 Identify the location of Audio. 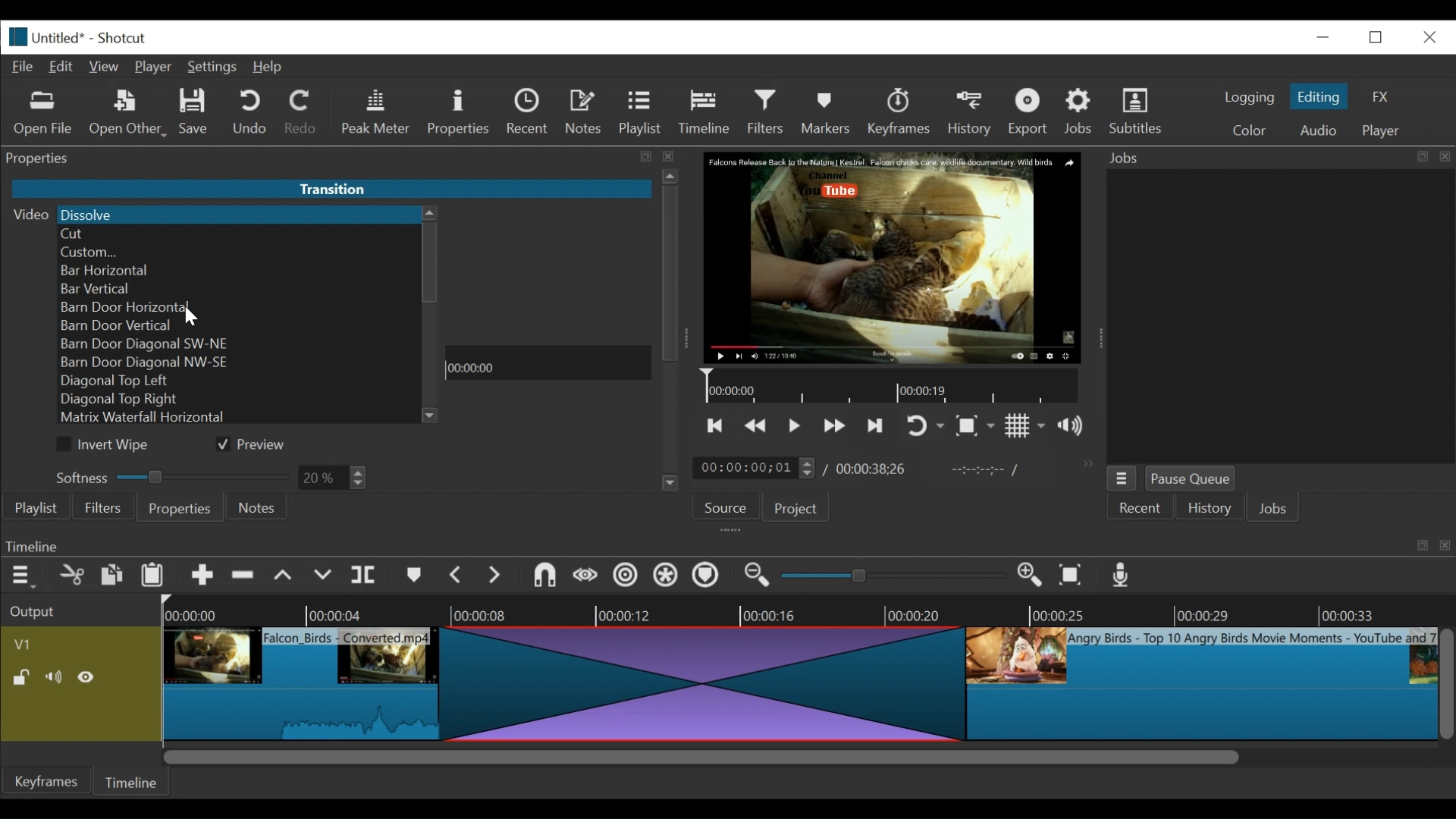
(1317, 130).